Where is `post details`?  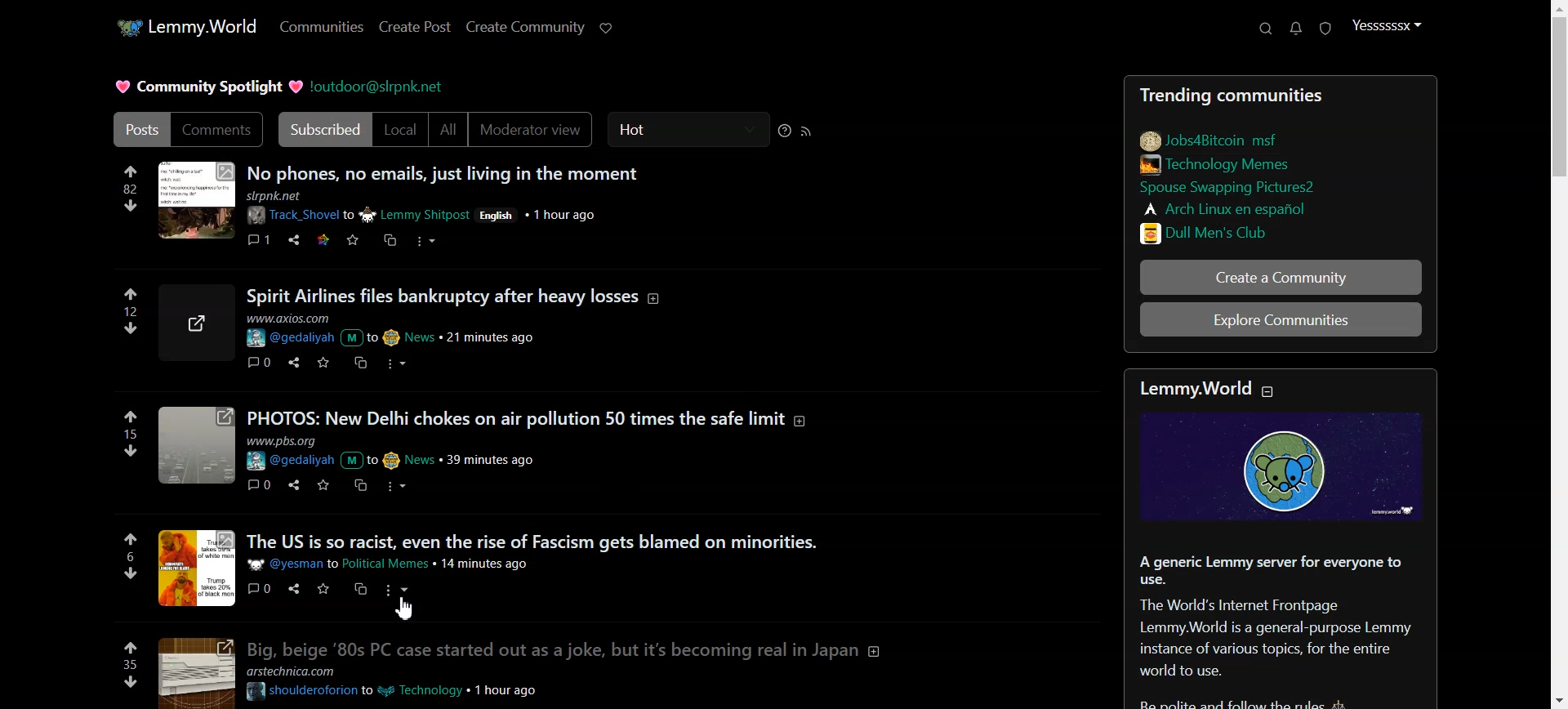 post details is located at coordinates (448, 208).